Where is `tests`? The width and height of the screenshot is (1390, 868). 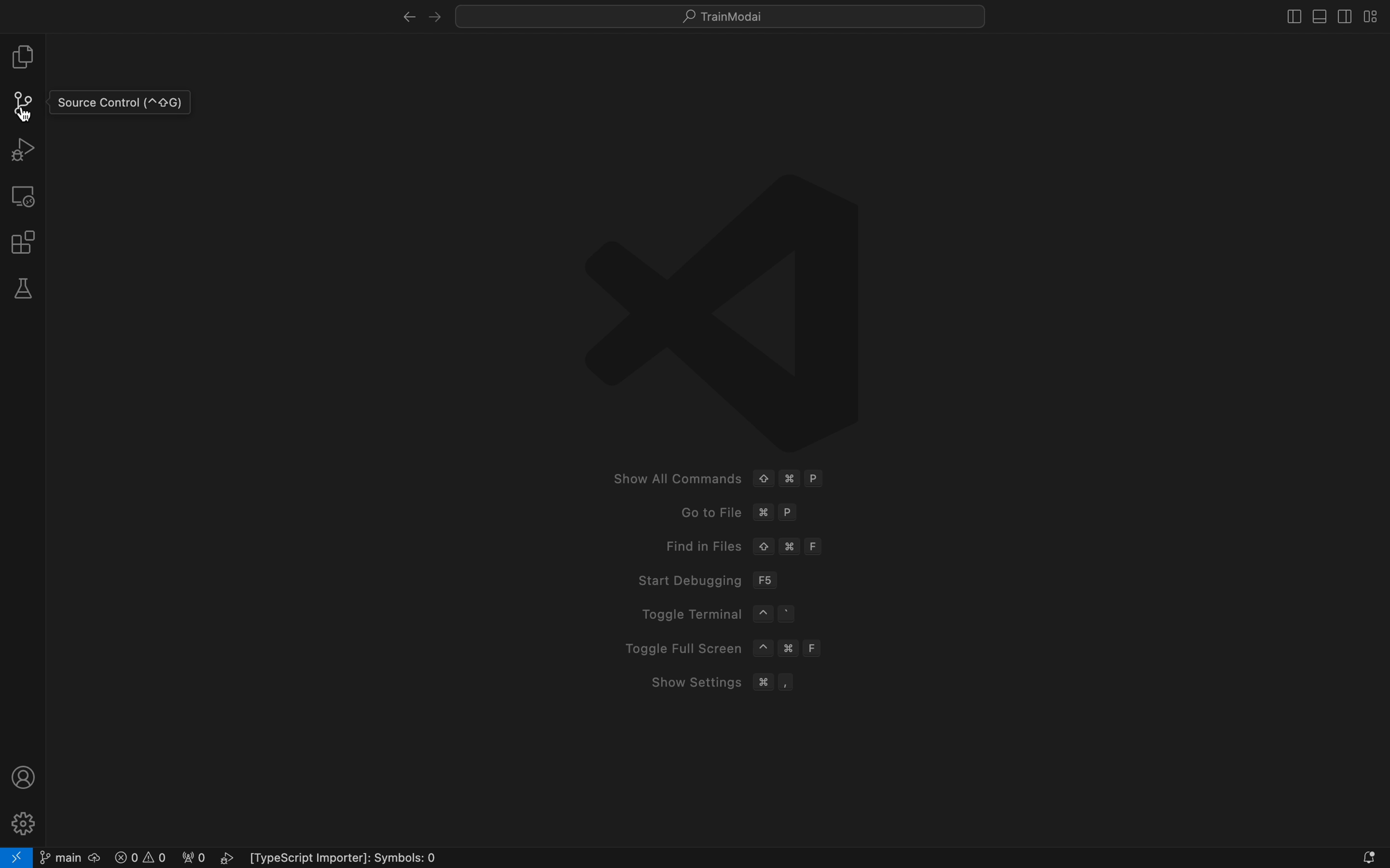
tests is located at coordinates (27, 289).